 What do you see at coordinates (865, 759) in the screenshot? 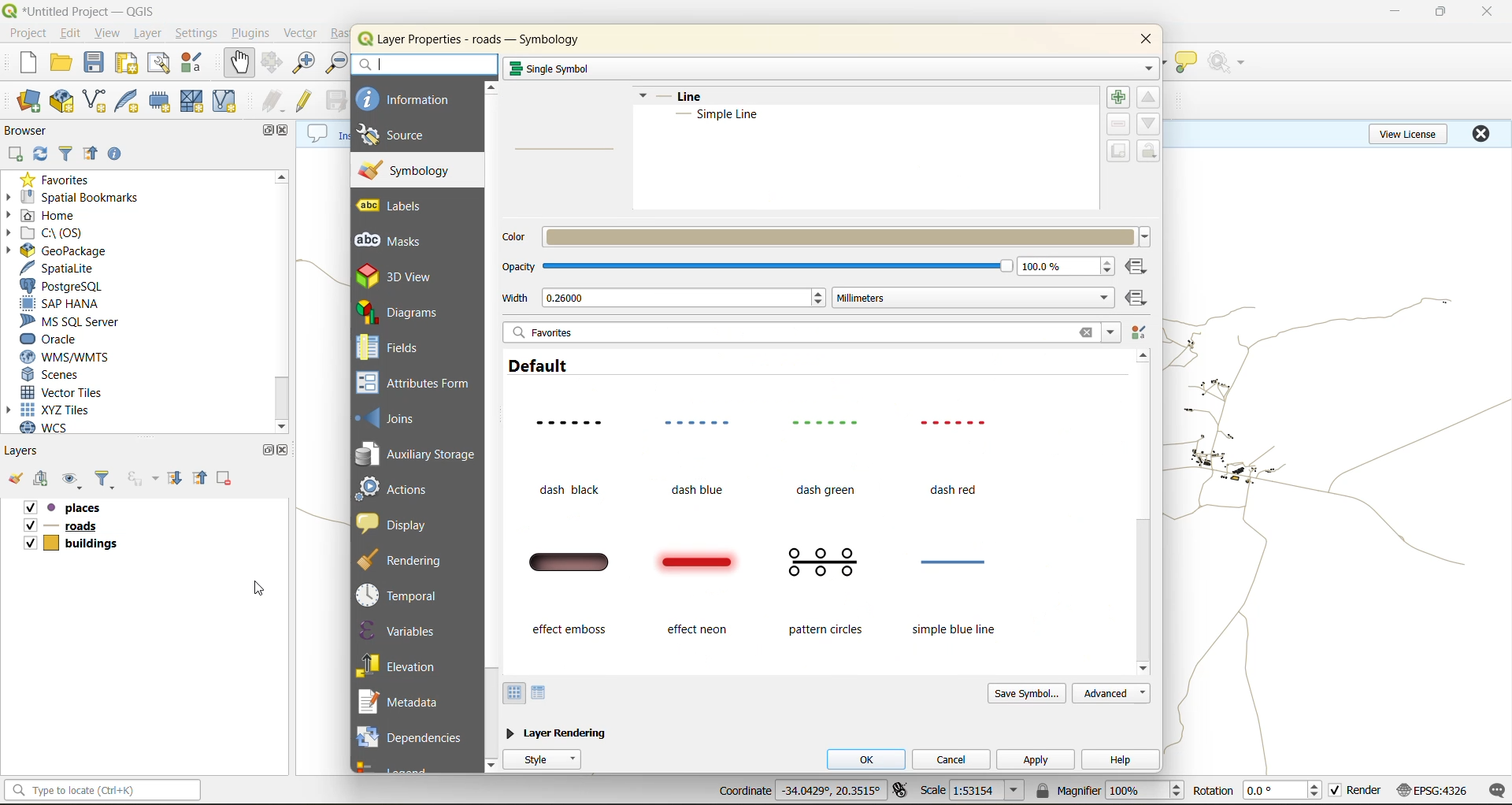
I see `ok` at bounding box center [865, 759].